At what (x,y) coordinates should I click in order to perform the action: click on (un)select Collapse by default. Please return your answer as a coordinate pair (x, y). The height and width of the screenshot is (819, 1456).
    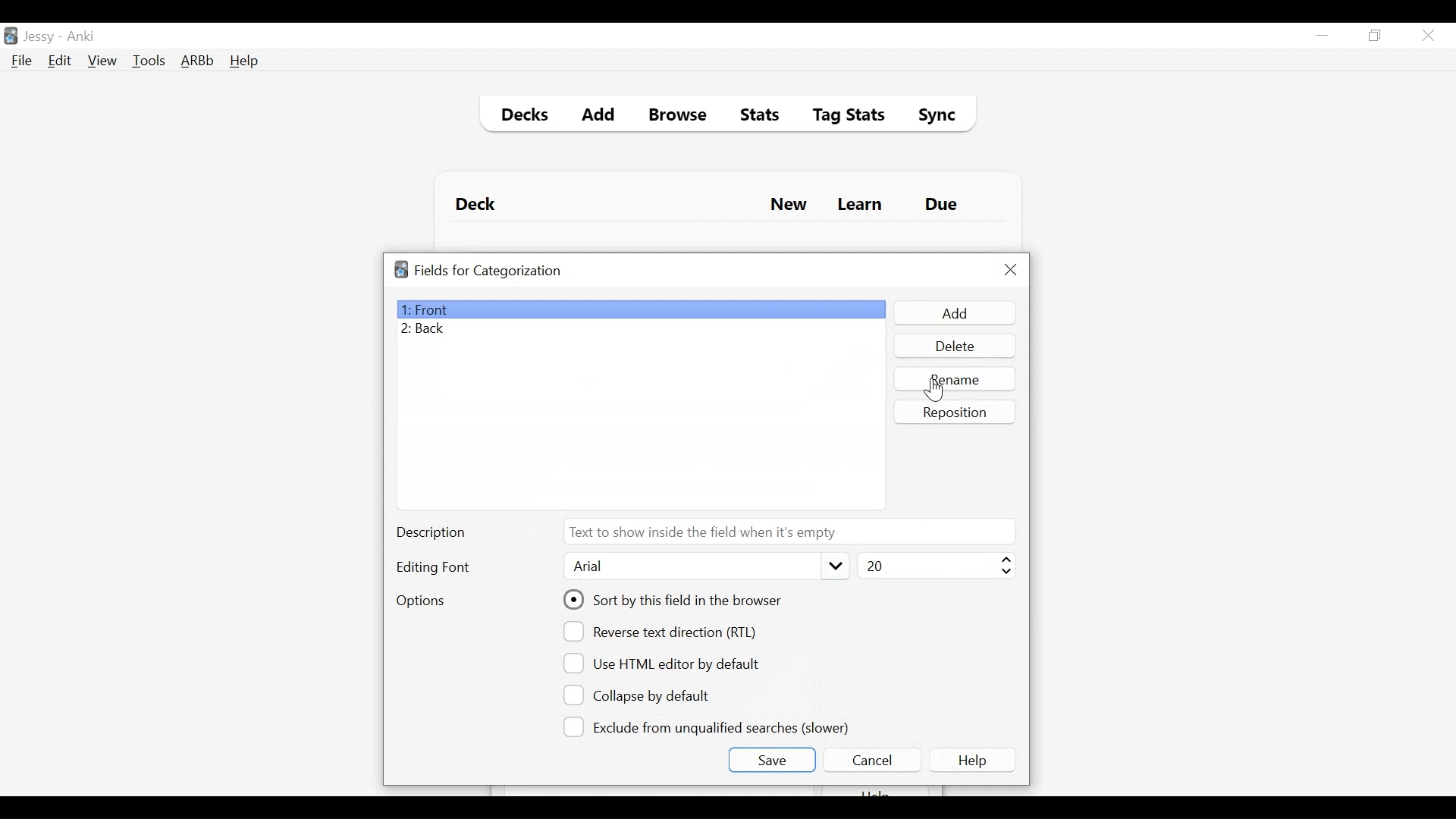
    Looking at the image, I should click on (648, 695).